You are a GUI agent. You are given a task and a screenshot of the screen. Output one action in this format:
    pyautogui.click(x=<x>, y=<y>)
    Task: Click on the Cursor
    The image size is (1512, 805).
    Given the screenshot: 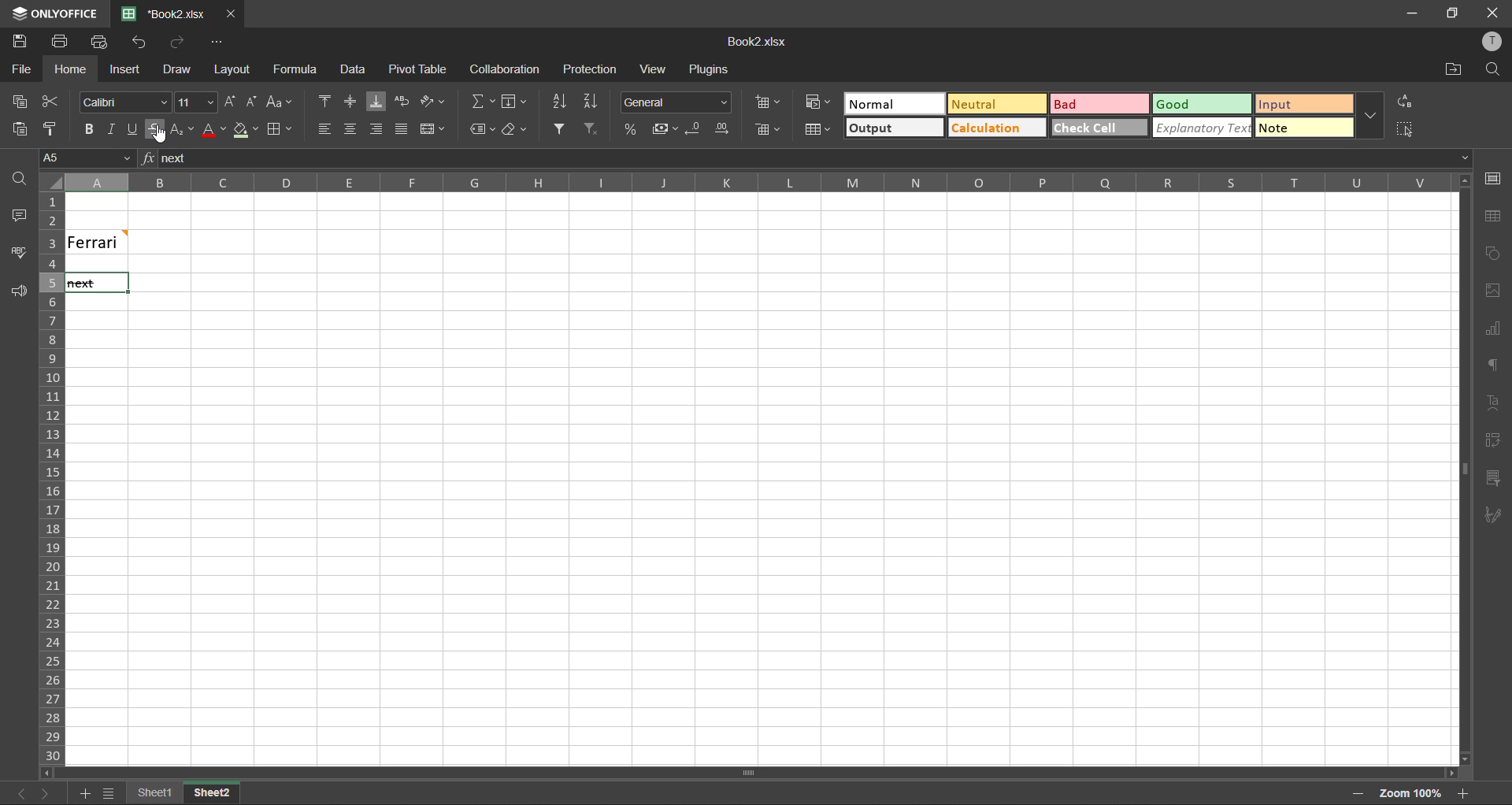 What is the action you would take?
    pyautogui.click(x=160, y=140)
    